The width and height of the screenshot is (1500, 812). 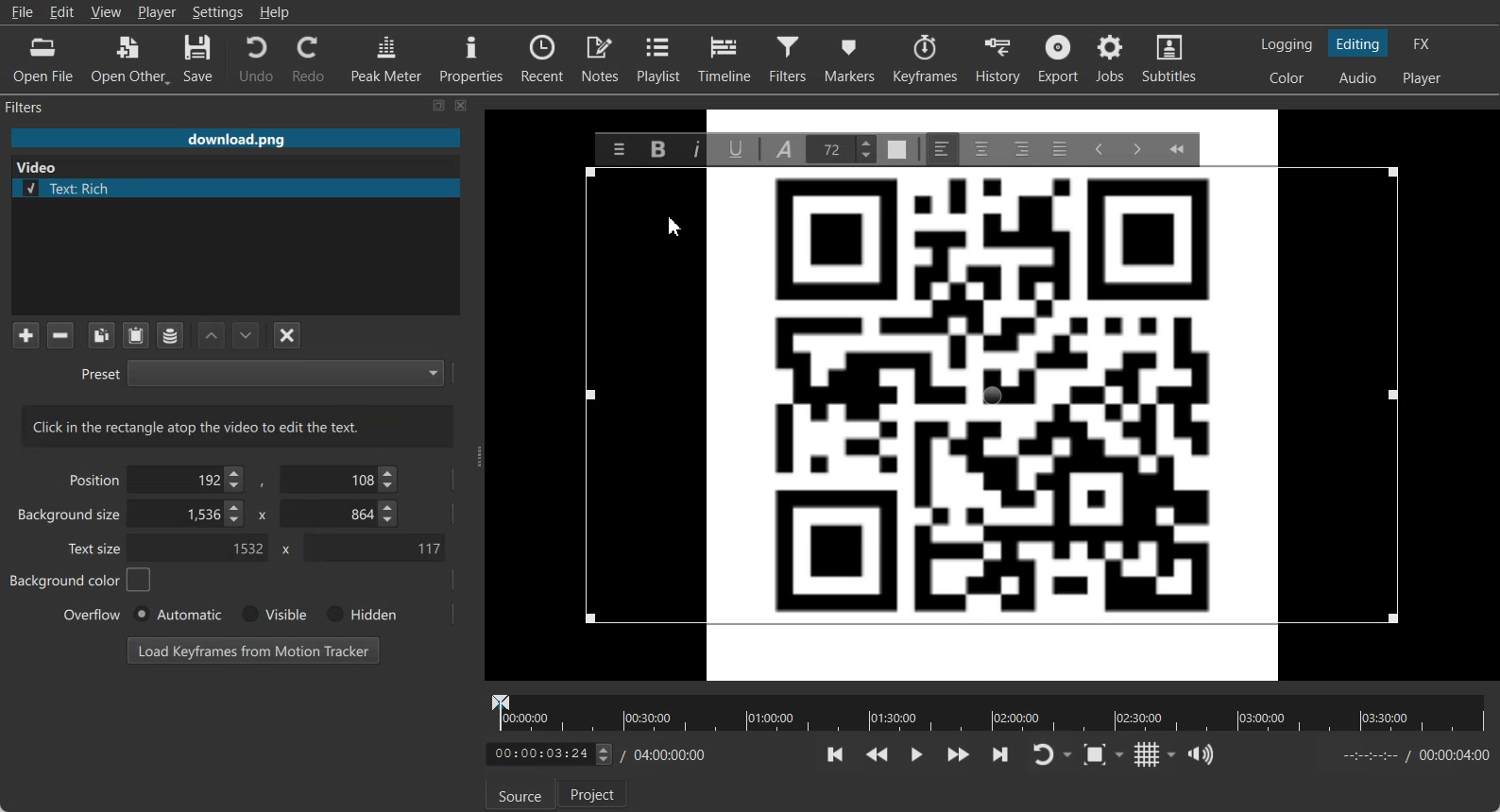 What do you see at coordinates (737, 148) in the screenshot?
I see `Underline` at bounding box center [737, 148].